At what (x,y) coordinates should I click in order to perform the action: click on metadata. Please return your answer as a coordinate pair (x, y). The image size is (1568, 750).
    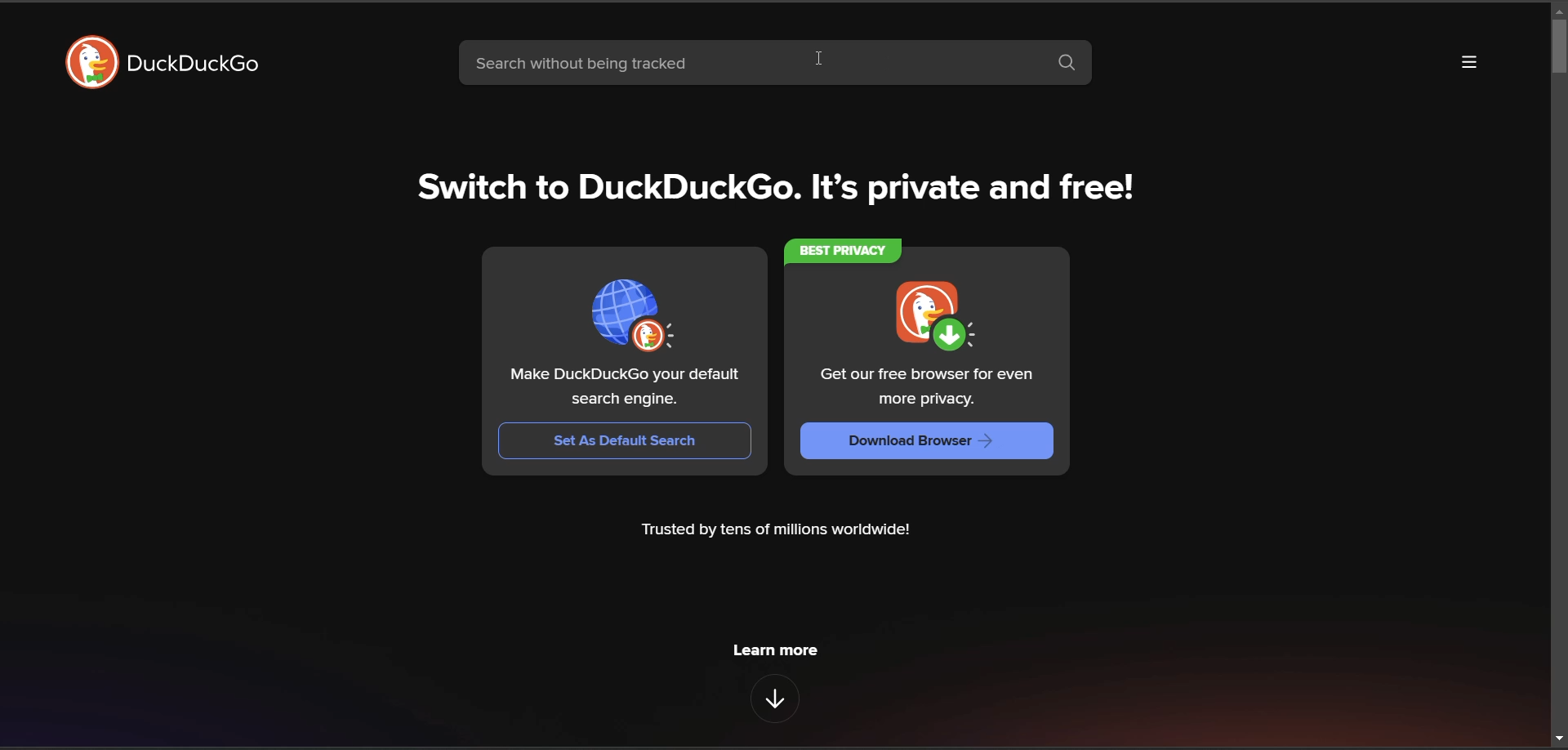
    Looking at the image, I should click on (777, 532).